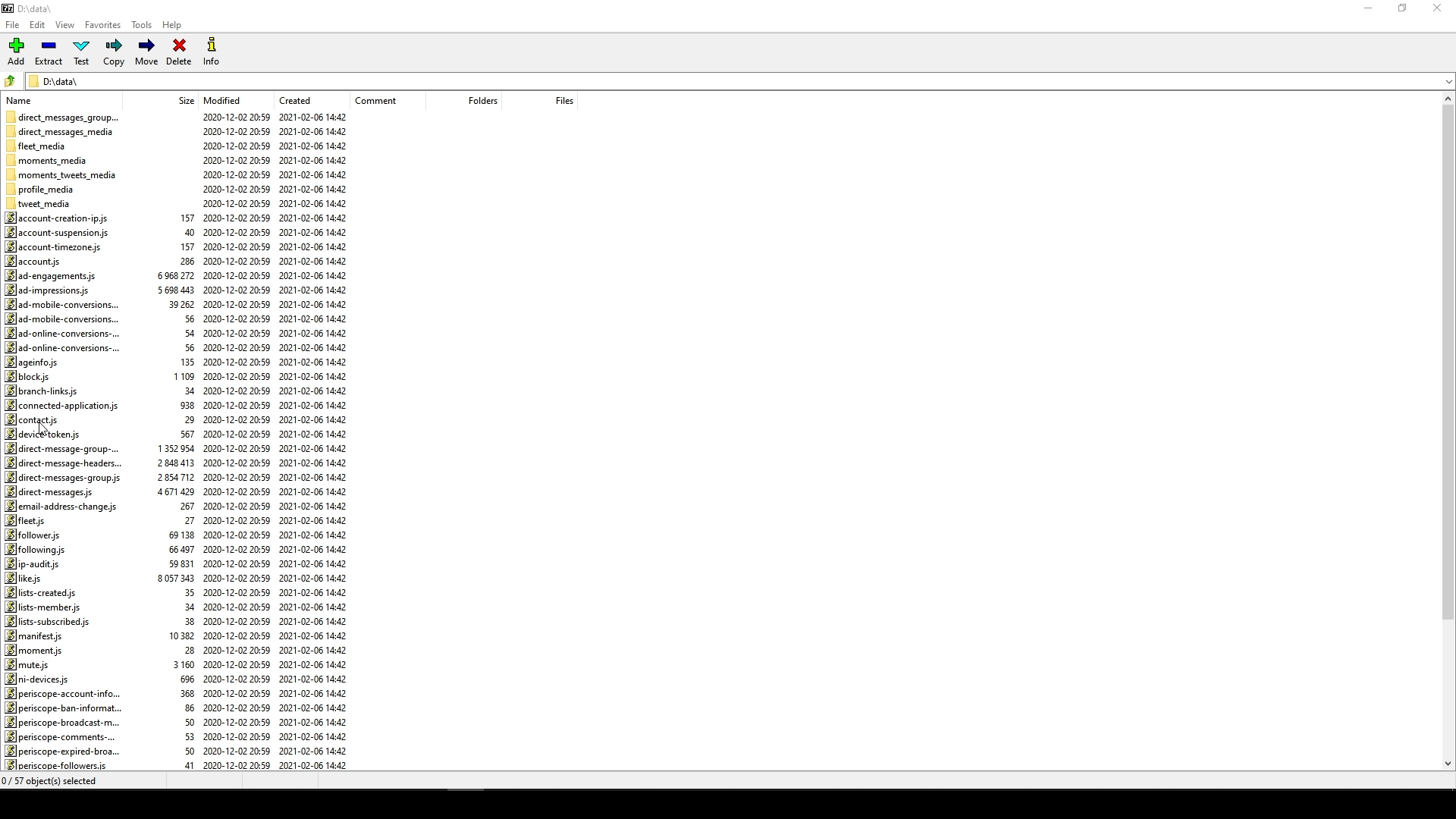 This screenshot has height=819, width=1456. I want to click on profile_media, so click(42, 190).